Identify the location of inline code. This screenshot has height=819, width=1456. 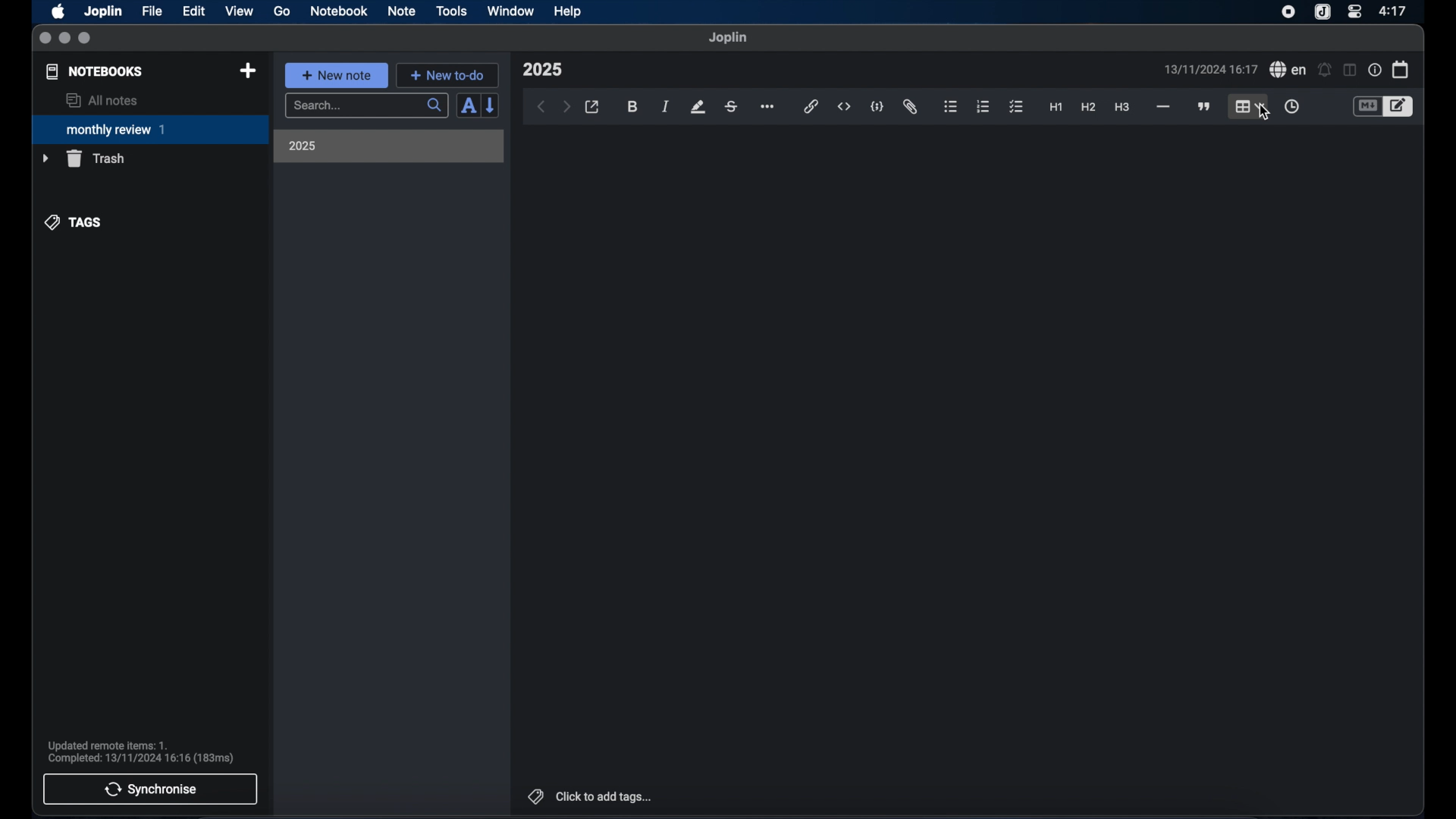
(844, 107).